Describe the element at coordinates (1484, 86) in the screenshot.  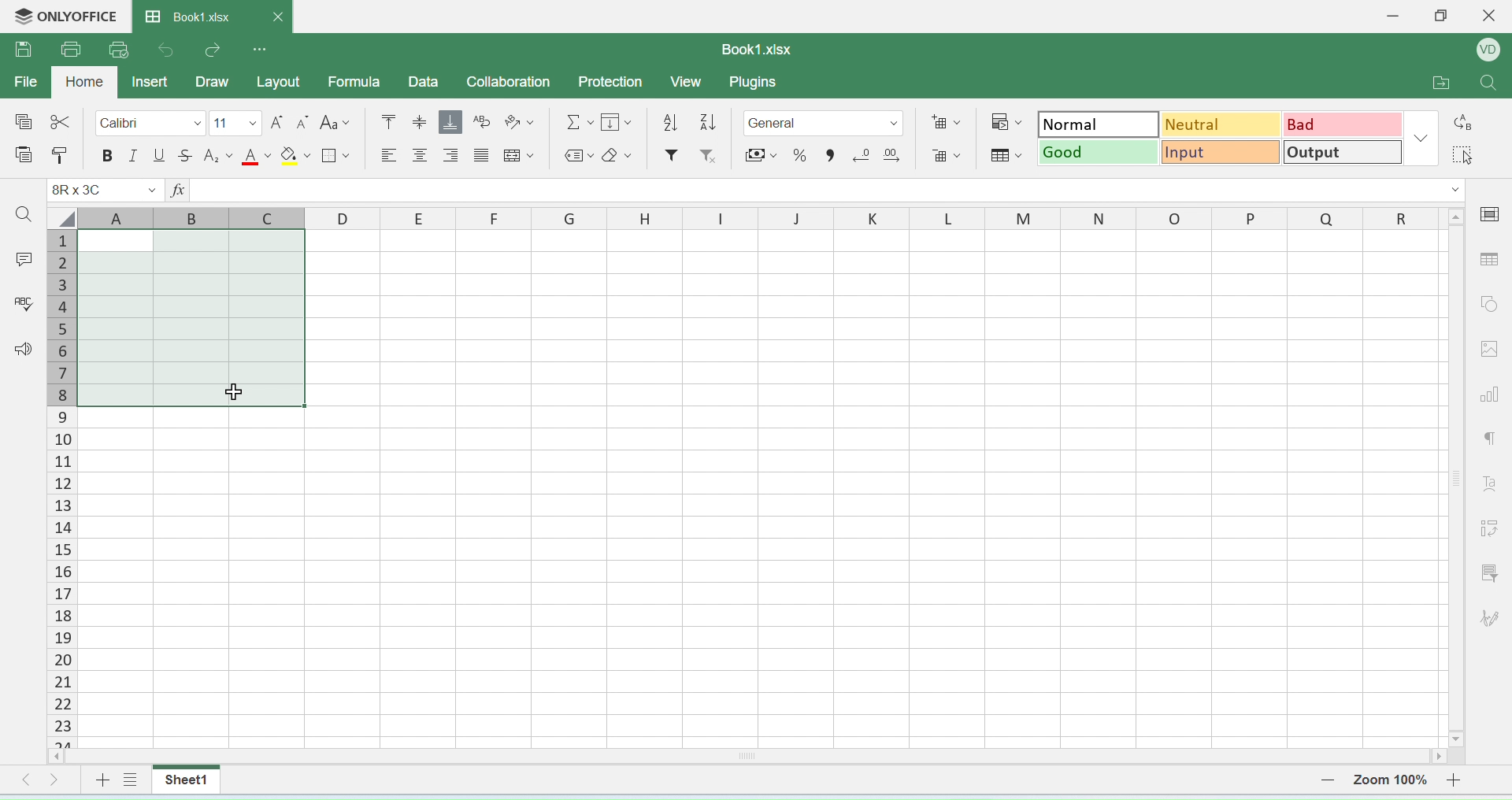
I see `search` at that location.